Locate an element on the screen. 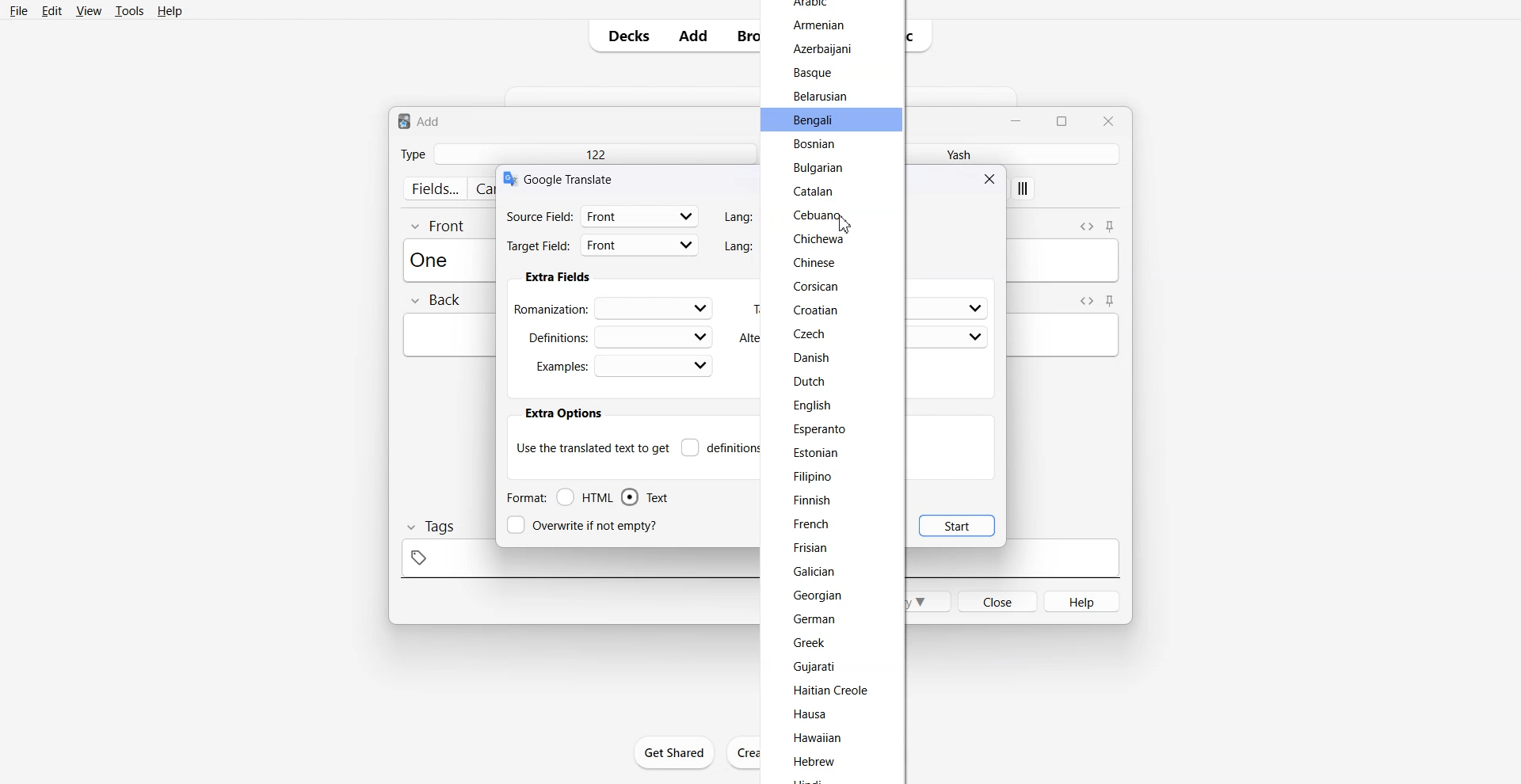  Dutch is located at coordinates (811, 382).